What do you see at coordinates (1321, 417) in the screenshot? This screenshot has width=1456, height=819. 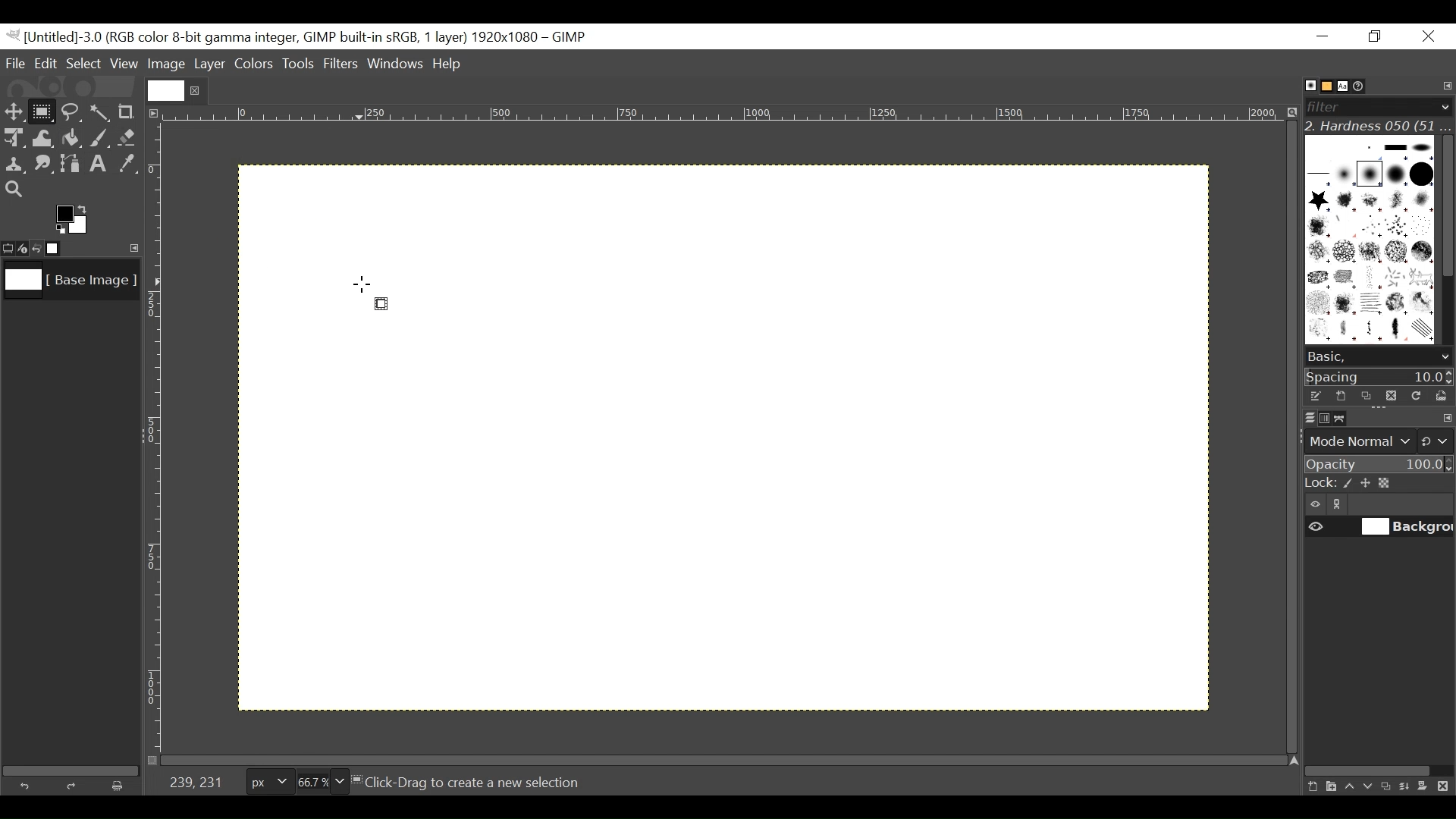 I see `Channels` at bounding box center [1321, 417].